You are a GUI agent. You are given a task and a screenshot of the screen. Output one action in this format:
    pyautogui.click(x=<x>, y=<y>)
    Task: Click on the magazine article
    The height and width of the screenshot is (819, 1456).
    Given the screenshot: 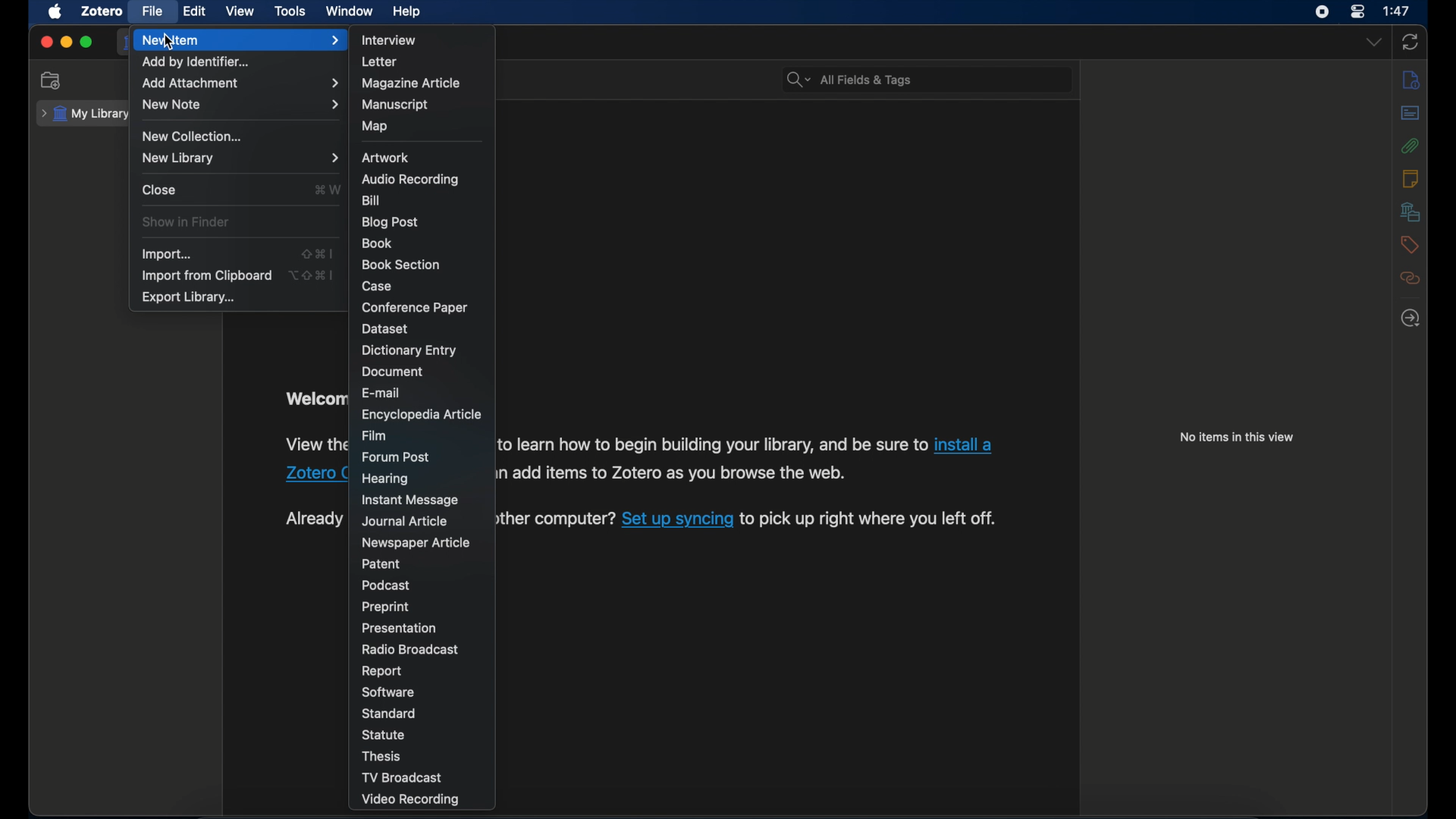 What is the action you would take?
    pyautogui.click(x=413, y=83)
    